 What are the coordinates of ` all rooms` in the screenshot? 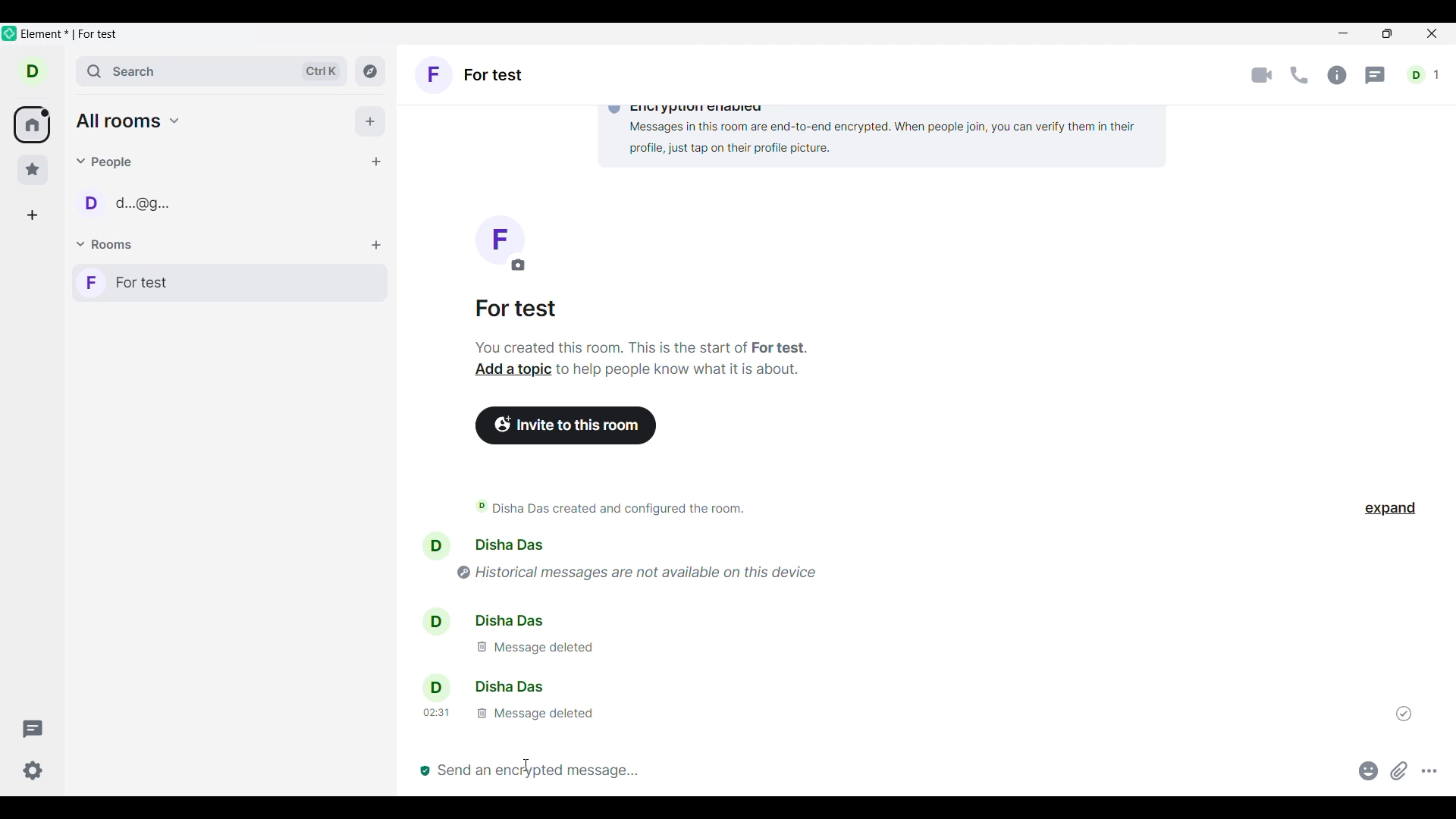 It's located at (129, 121).